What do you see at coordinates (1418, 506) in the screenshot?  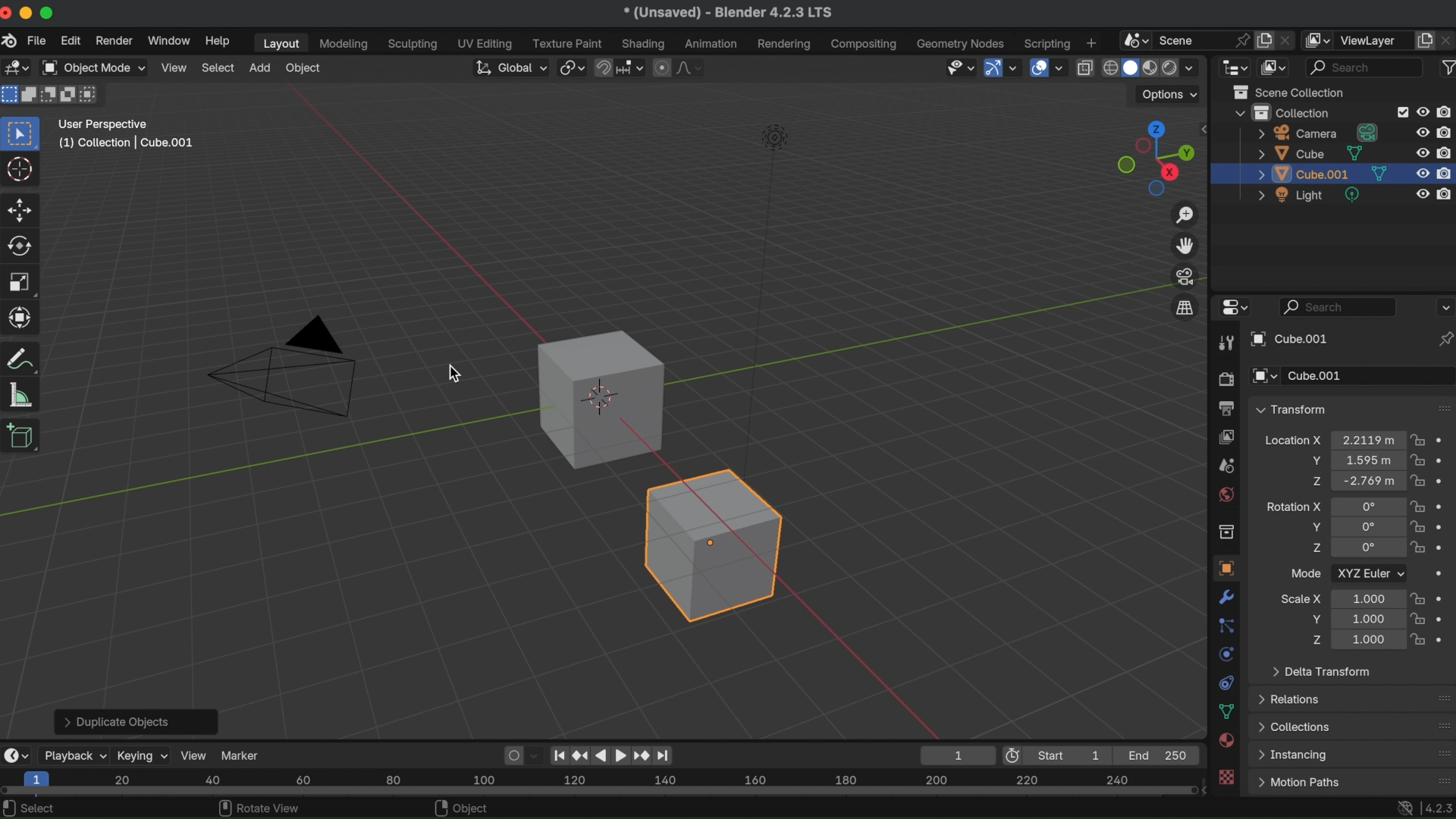 I see `lock rotation` at bounding box center [1418, 506].